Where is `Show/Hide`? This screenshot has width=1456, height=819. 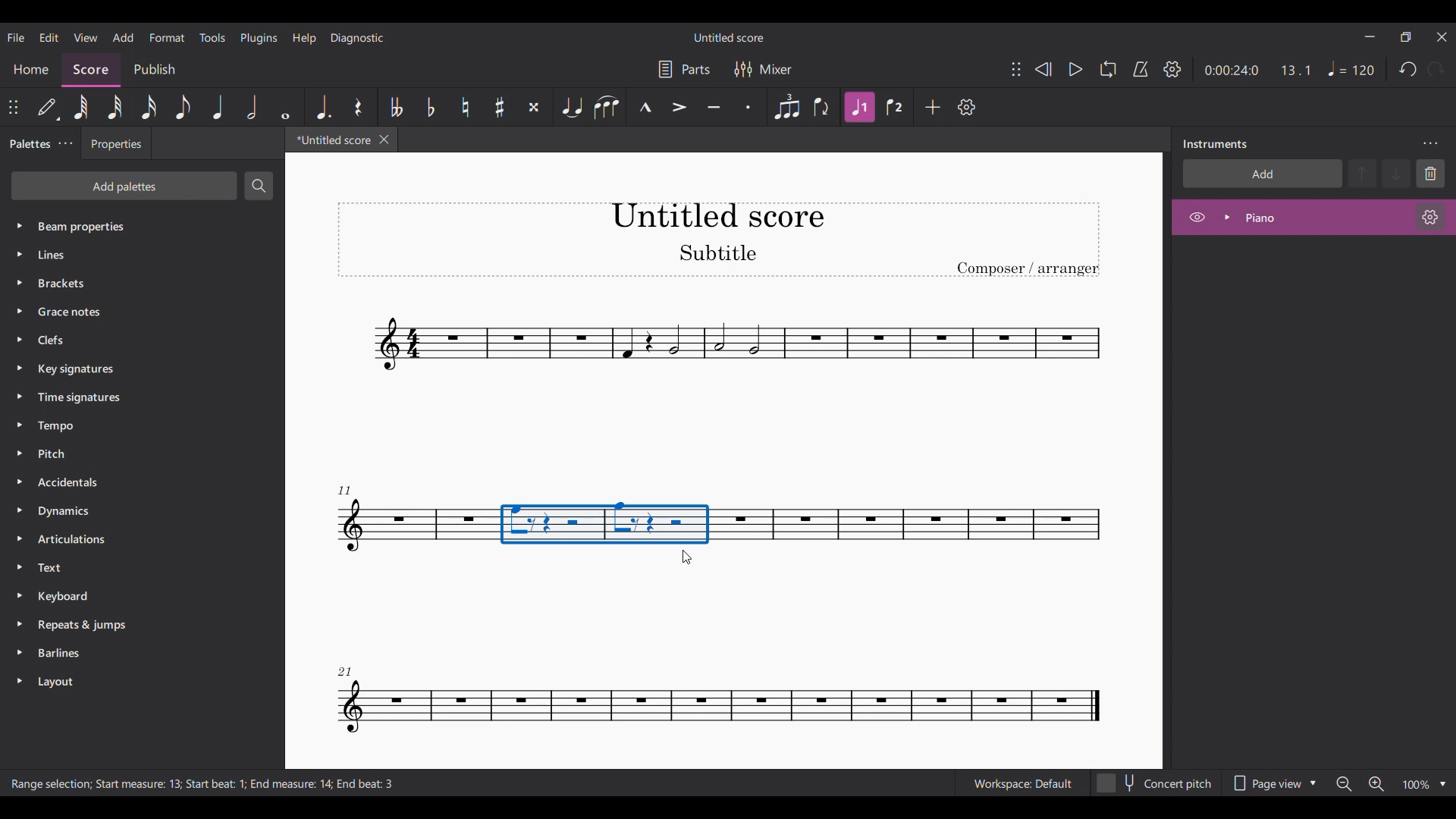
Show/Hide is located at coordinates (1197, 218).